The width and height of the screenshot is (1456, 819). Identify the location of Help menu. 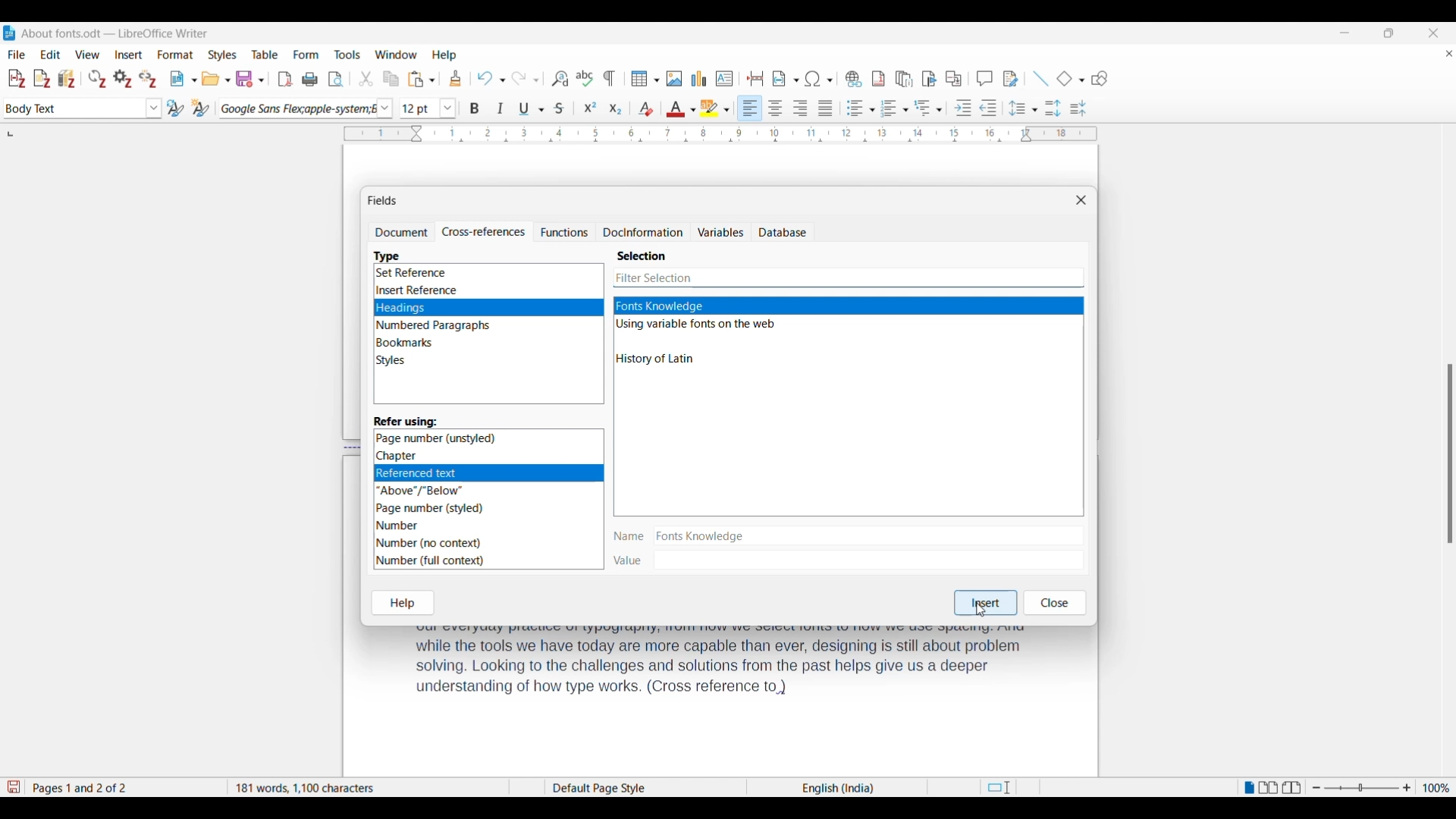
(444, 55).